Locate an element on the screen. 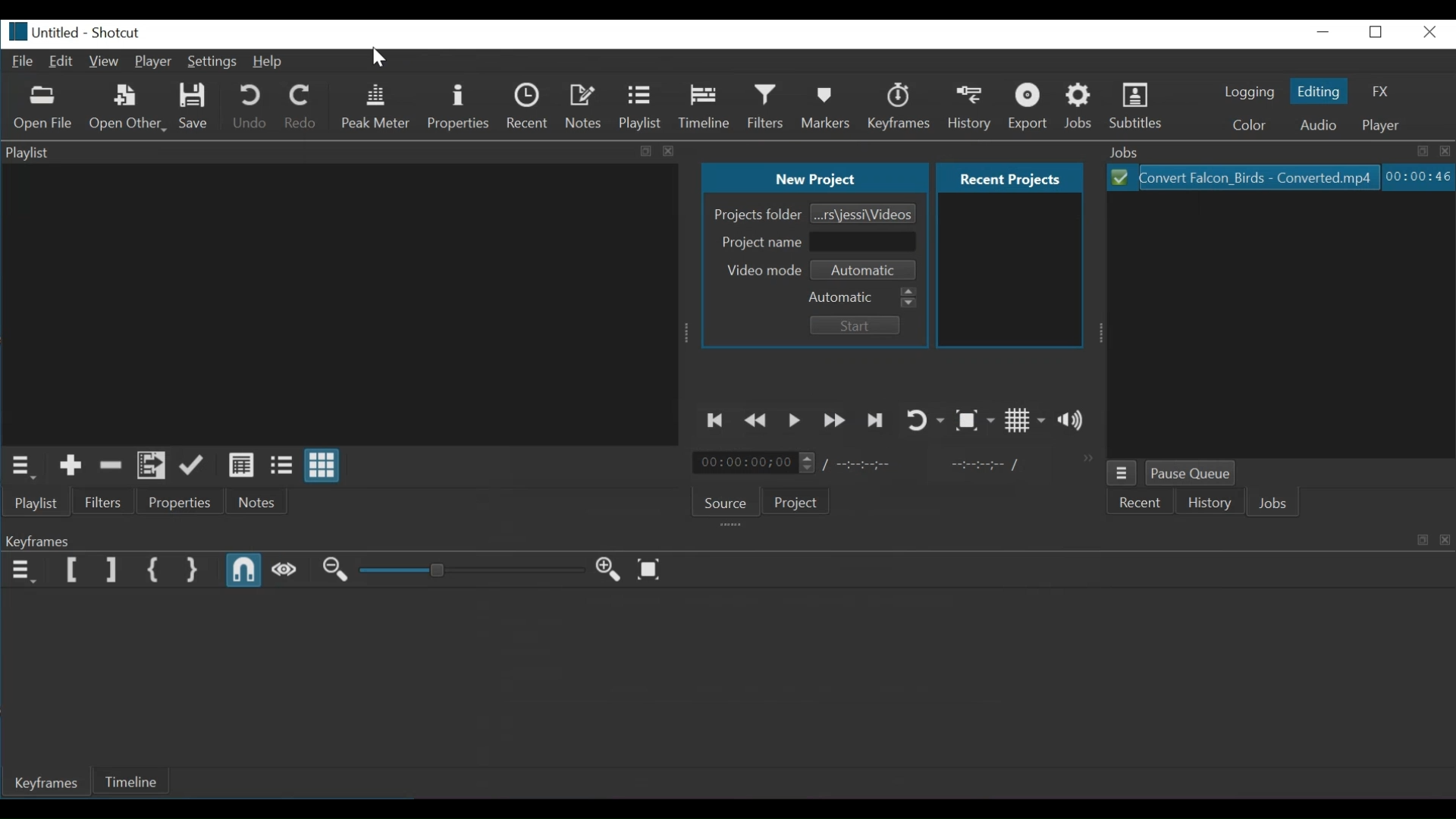 The width and height of the screenshot is (1456, 819). Help is located at coordinates (276, 64).